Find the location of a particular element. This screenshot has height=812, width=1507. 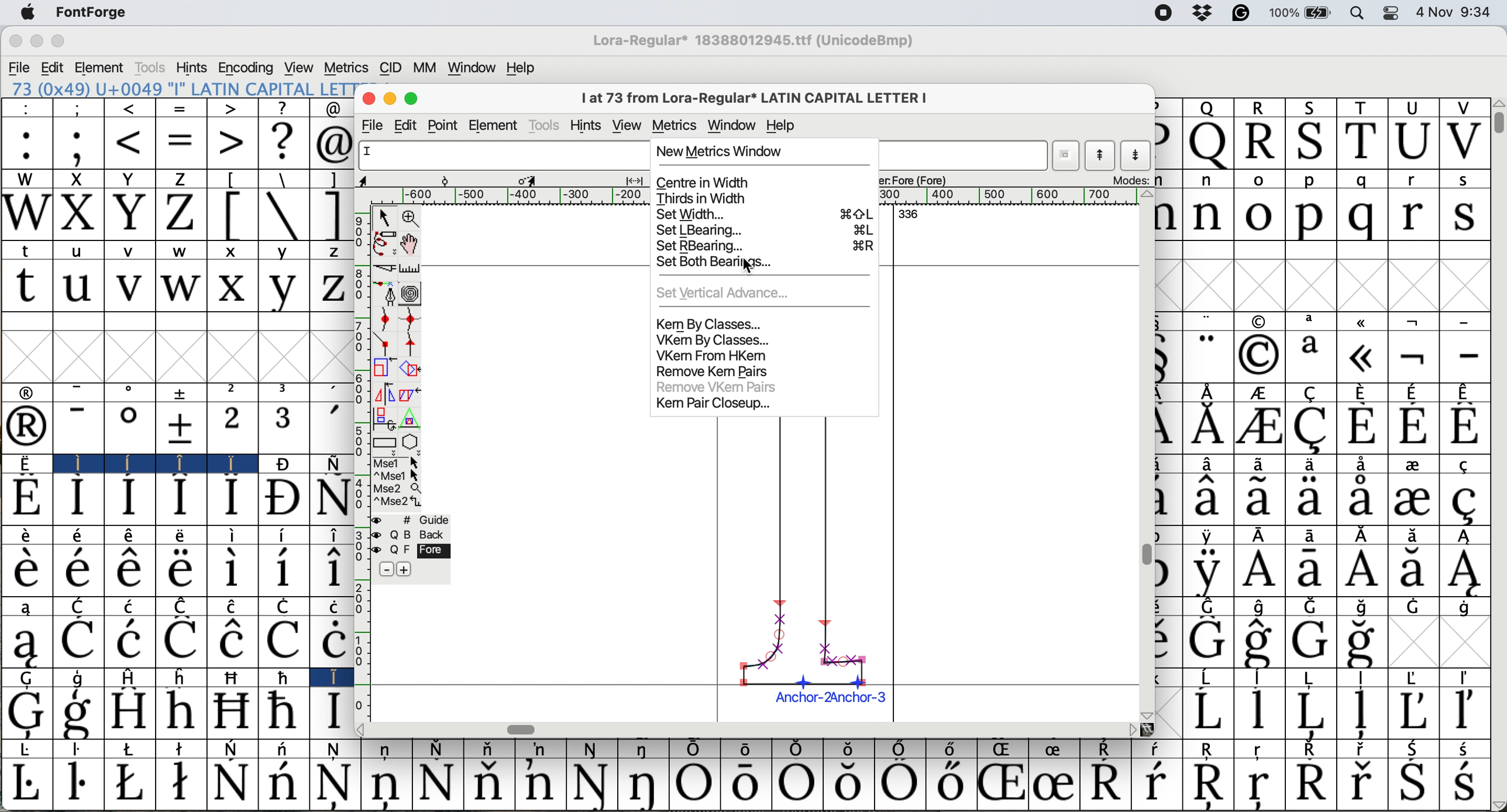

T is located at coordinates (1361, 106).